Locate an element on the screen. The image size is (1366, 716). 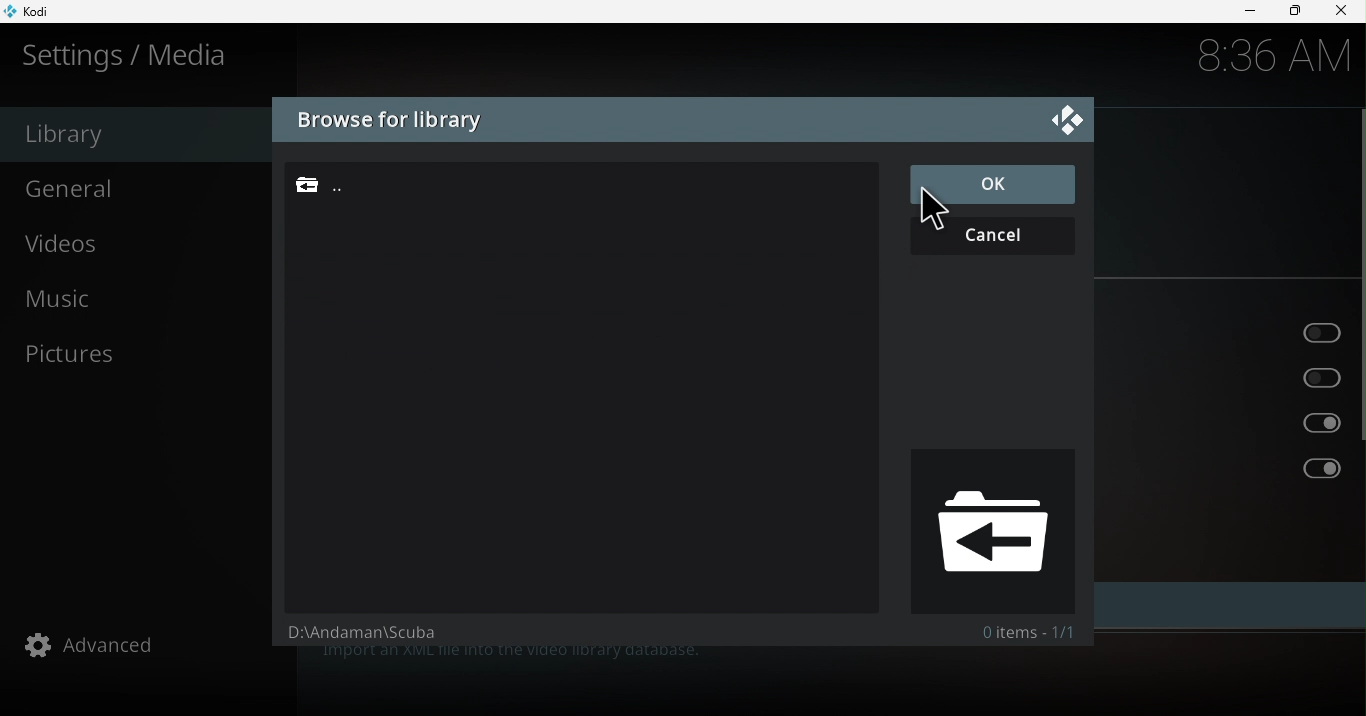
Pictures is located at coordinates (146, 353).